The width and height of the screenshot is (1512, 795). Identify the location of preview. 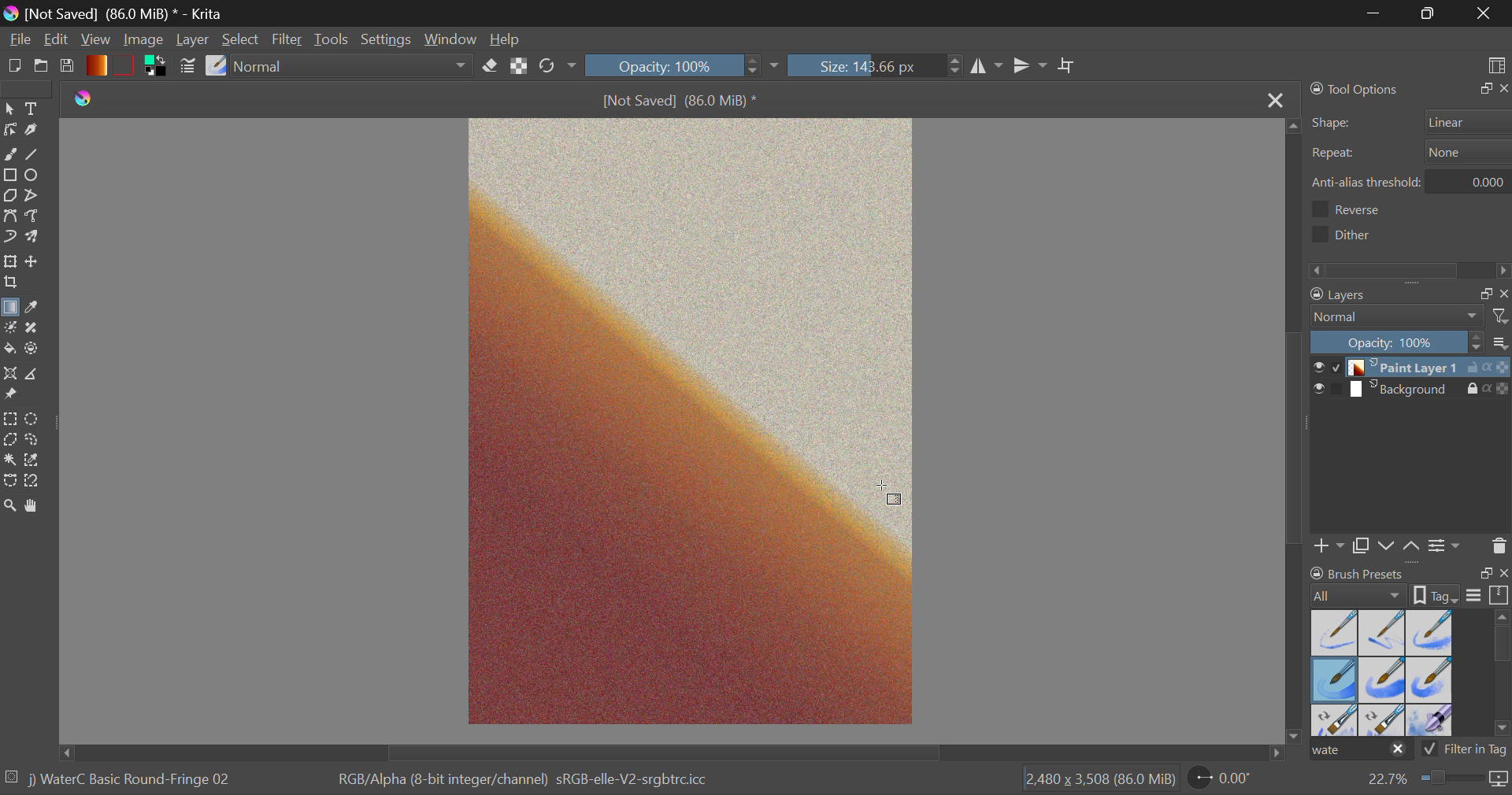
(1317, 390).